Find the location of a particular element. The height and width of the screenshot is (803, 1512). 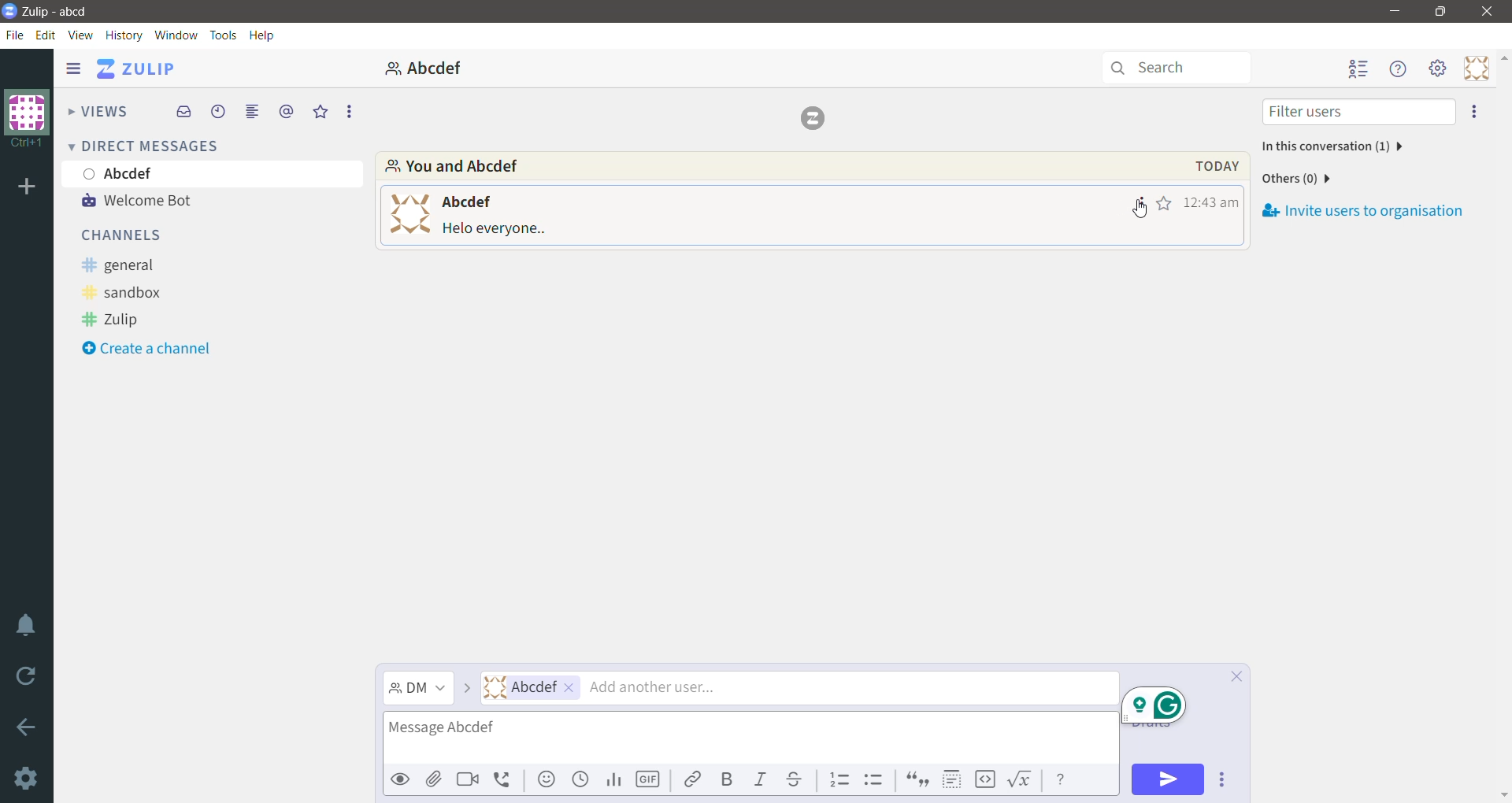

Personal Menu is located at coordinates (1473, 68).